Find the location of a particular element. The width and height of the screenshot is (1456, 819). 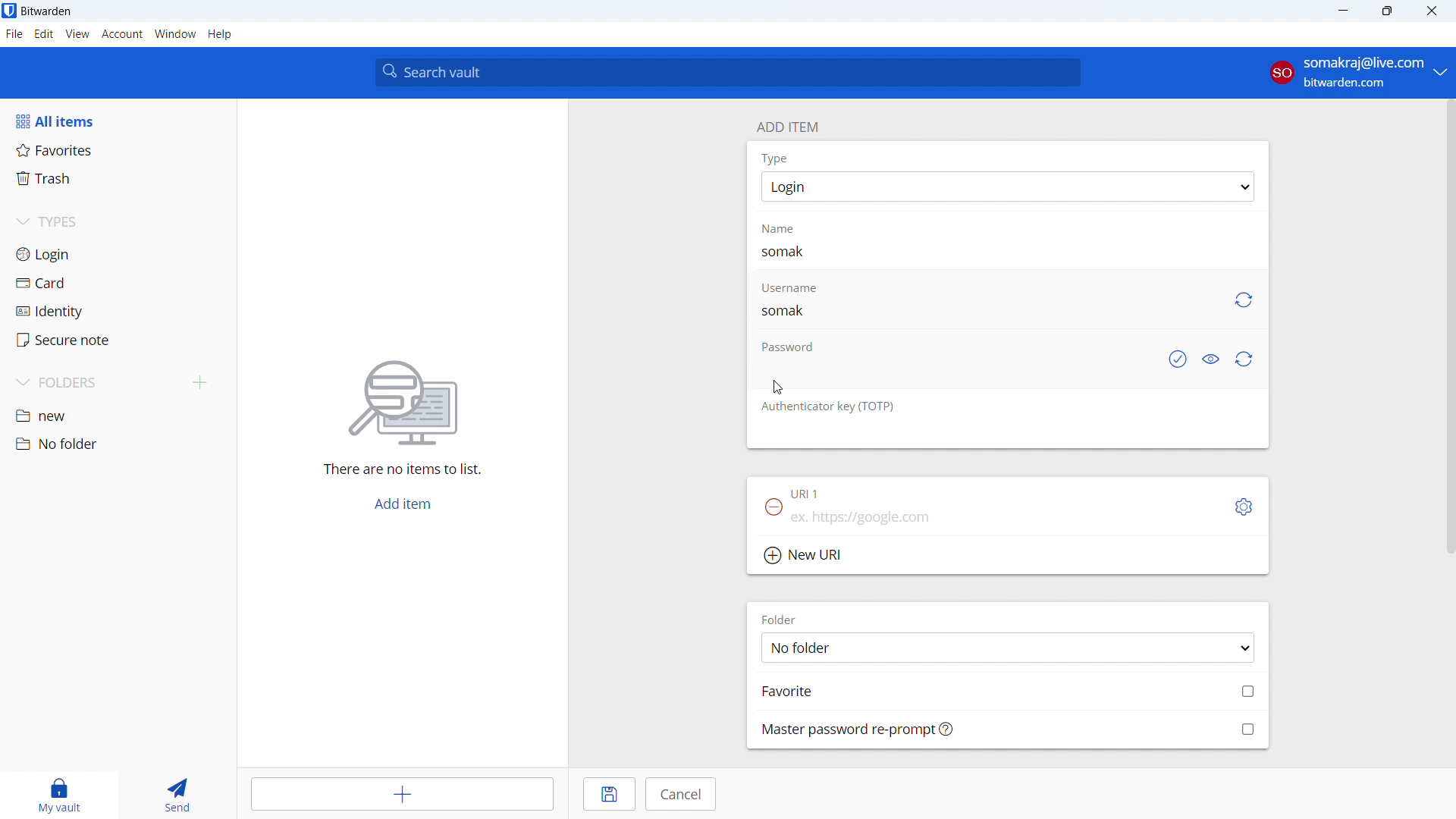

there are no items to list  is located at coordinates (397, 471).